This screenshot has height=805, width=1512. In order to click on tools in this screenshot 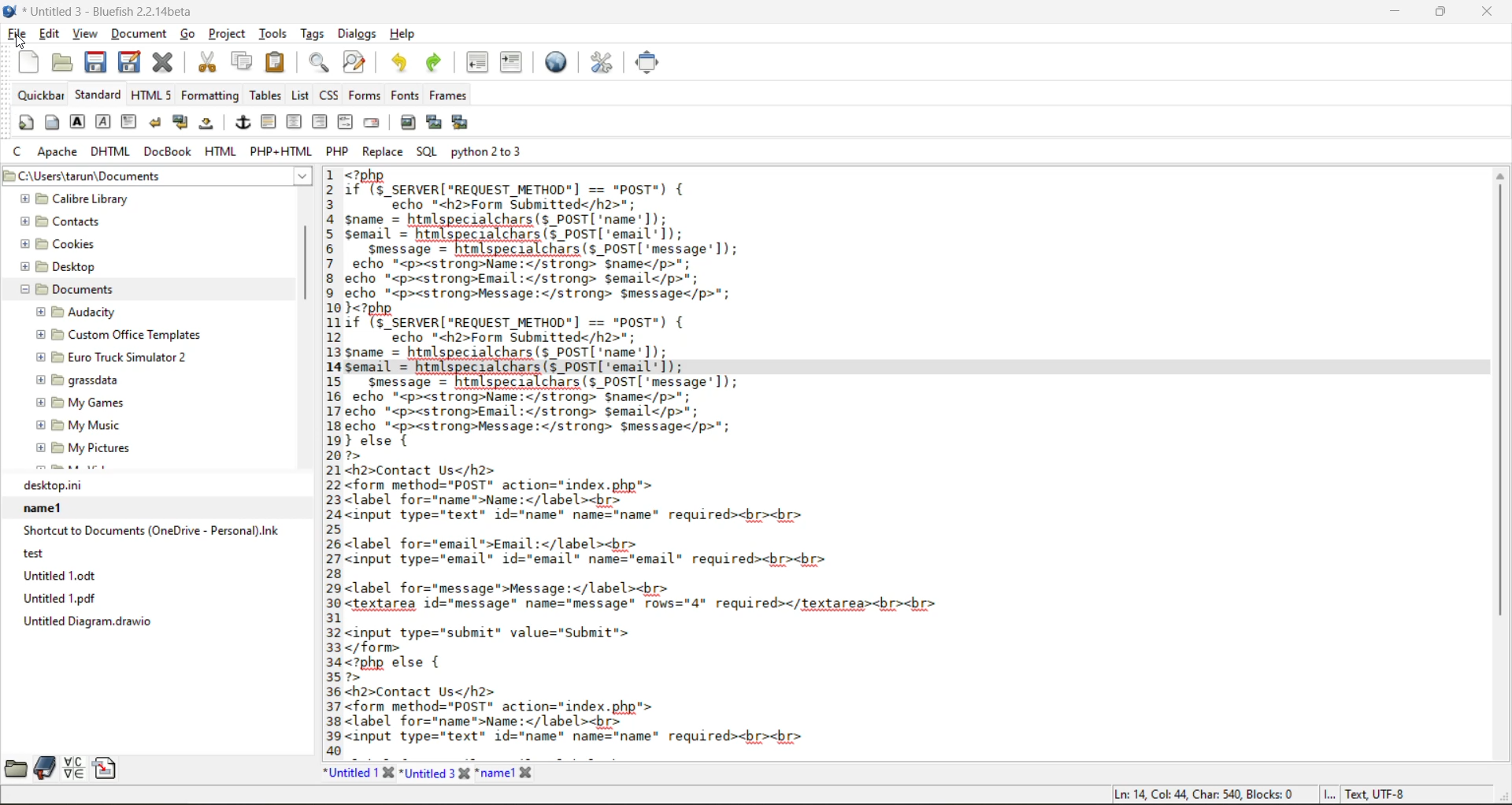, I will do `click(274, 33)`.